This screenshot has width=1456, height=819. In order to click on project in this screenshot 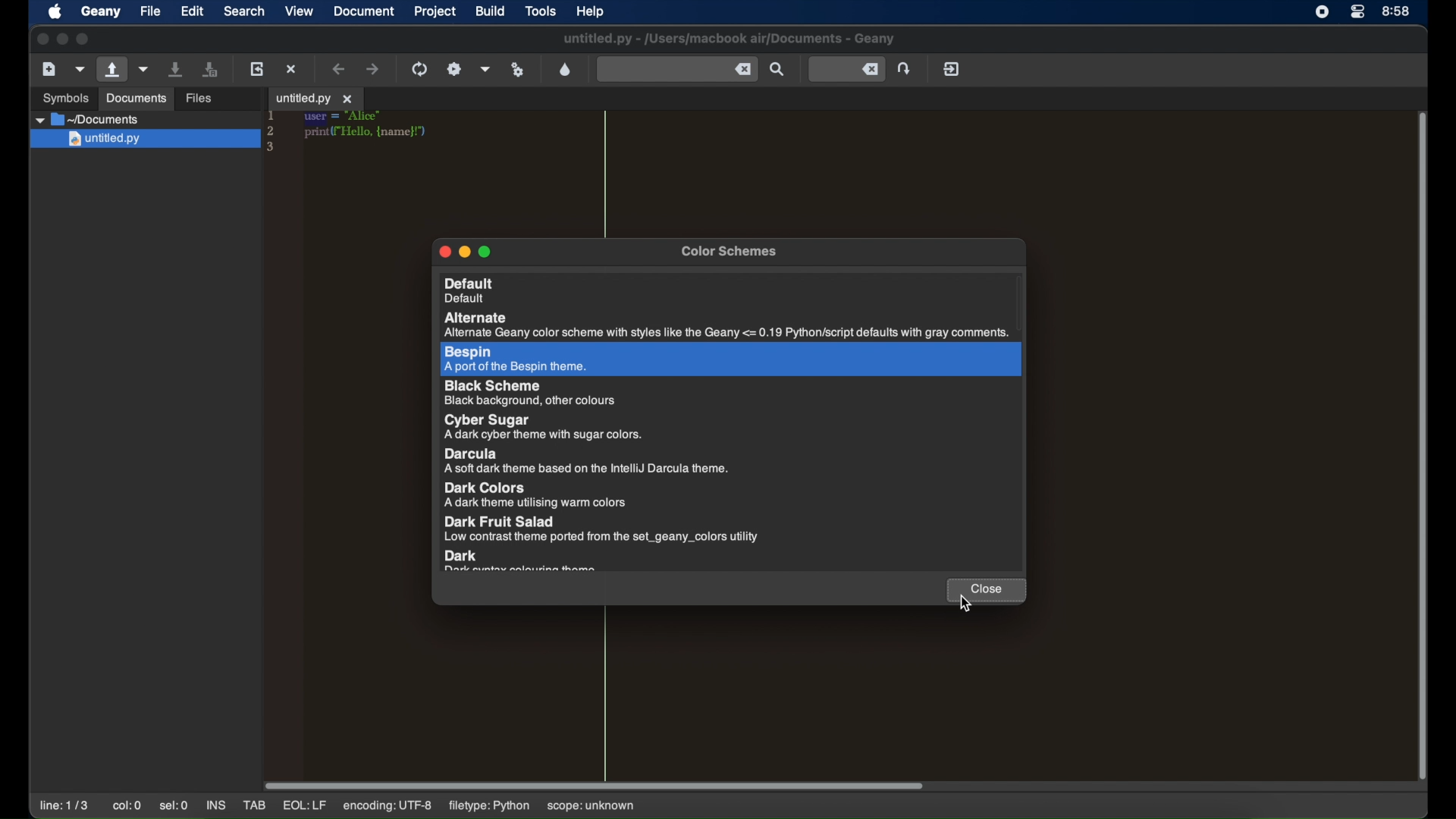, I will do `click(435, 12)`.